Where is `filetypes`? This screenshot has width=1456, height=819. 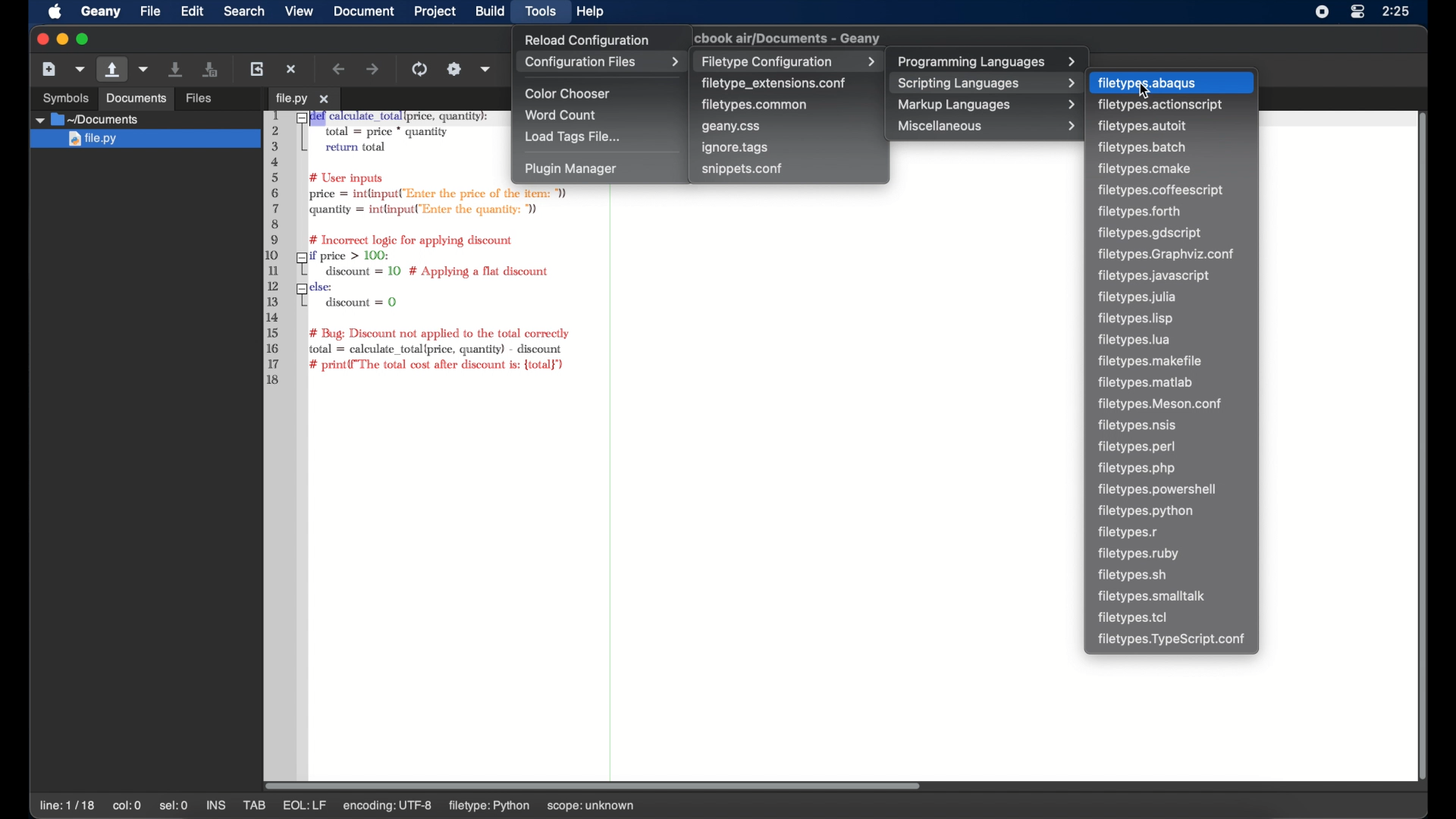
filetypes is located at coordinates (1147, 383).